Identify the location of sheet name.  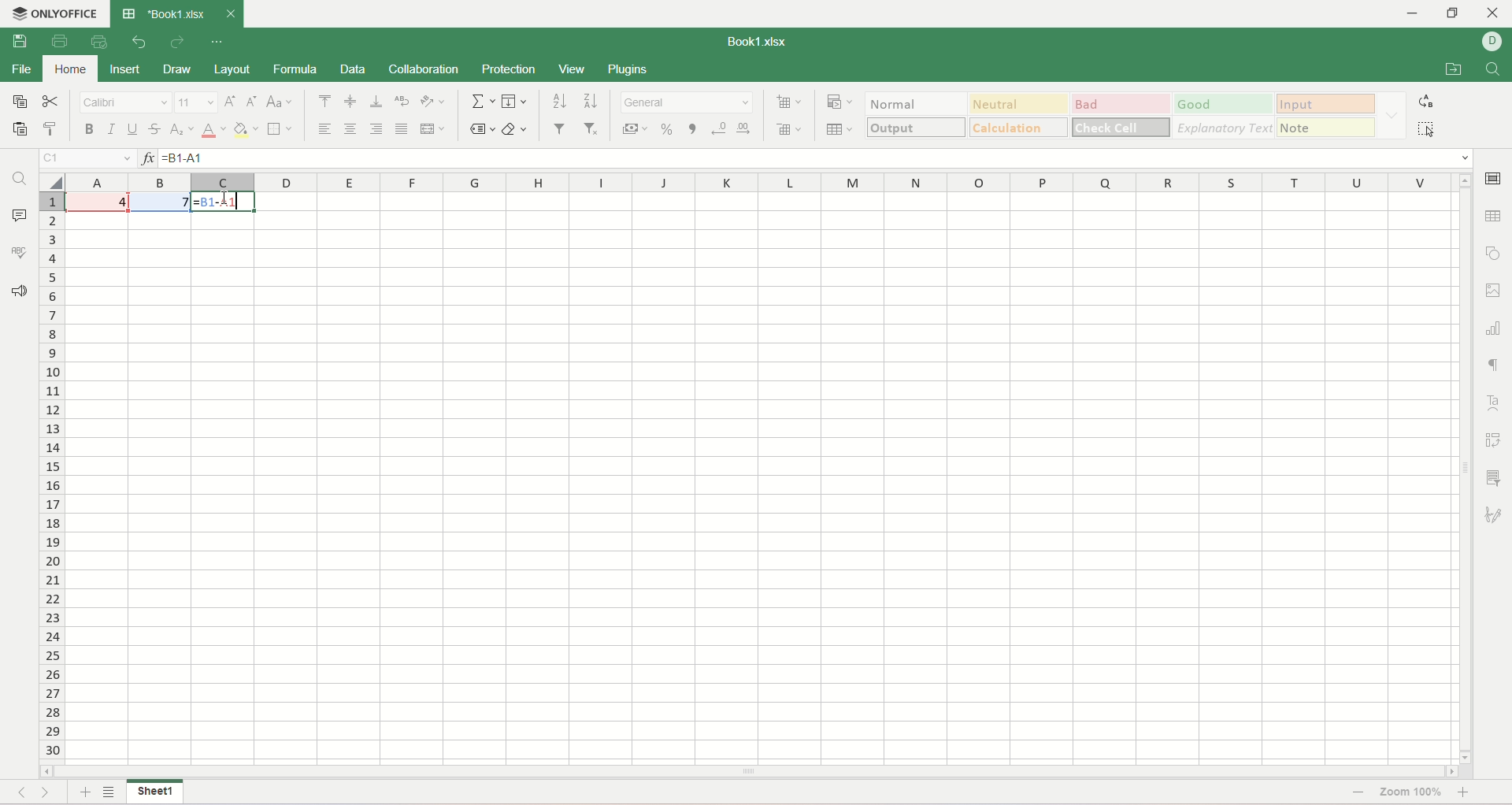
(157, 794).